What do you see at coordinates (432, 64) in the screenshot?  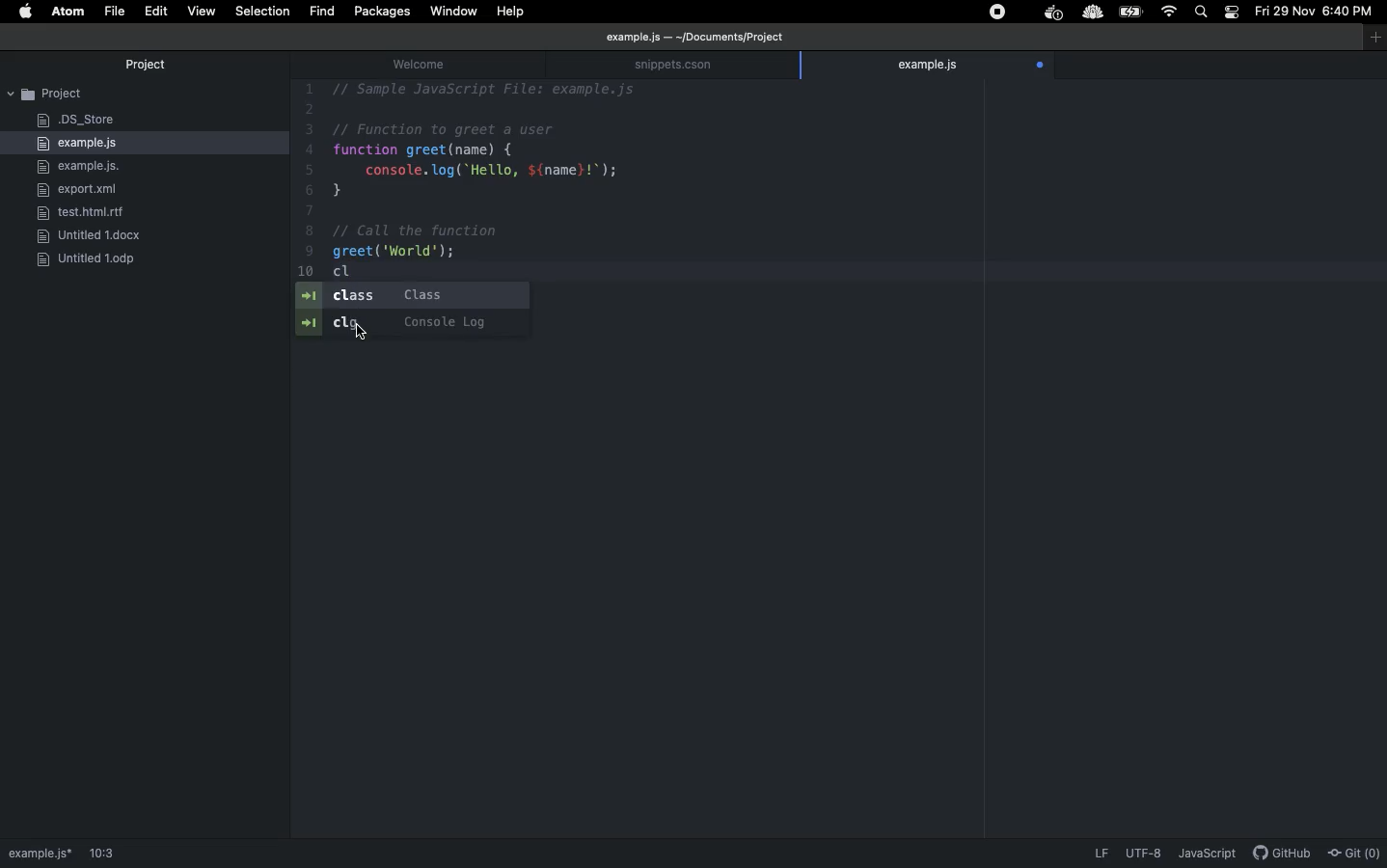 I see `welcome` at bounding box center [432, 64].